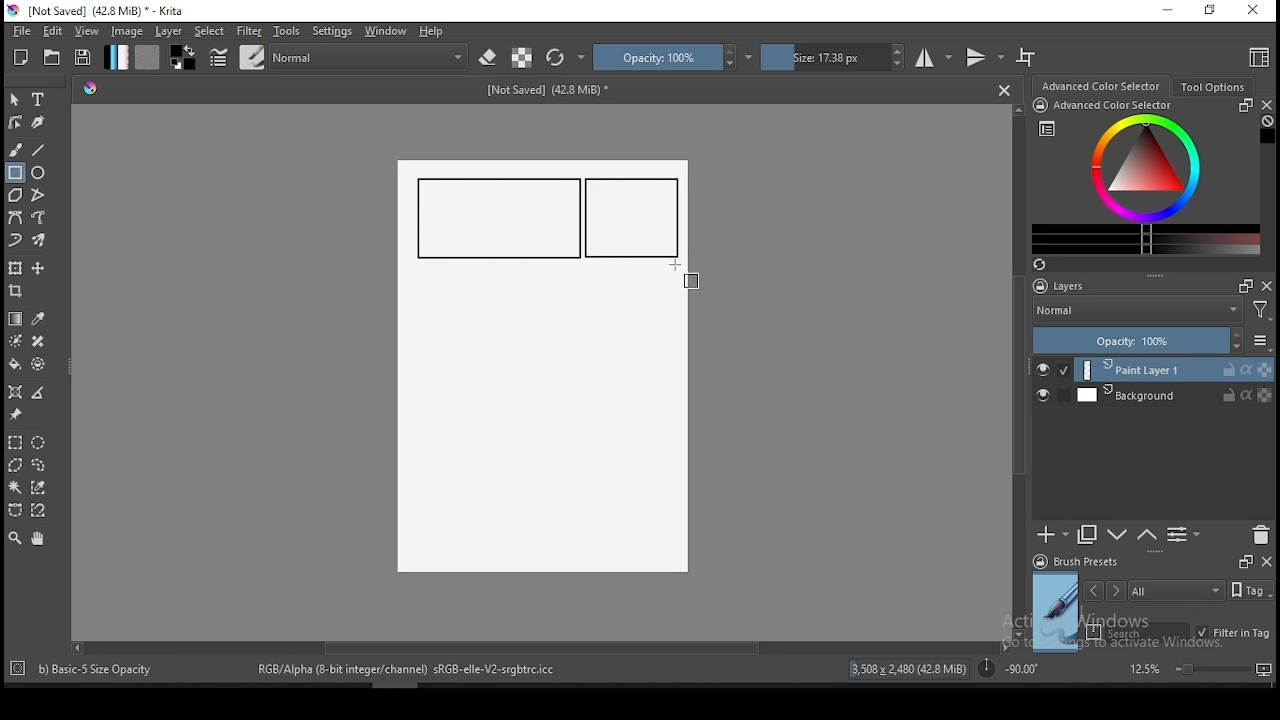 The image size is (1280, 720). Describe the element at coordinates (21, 31) in the screenshot. I see `file` at that location.